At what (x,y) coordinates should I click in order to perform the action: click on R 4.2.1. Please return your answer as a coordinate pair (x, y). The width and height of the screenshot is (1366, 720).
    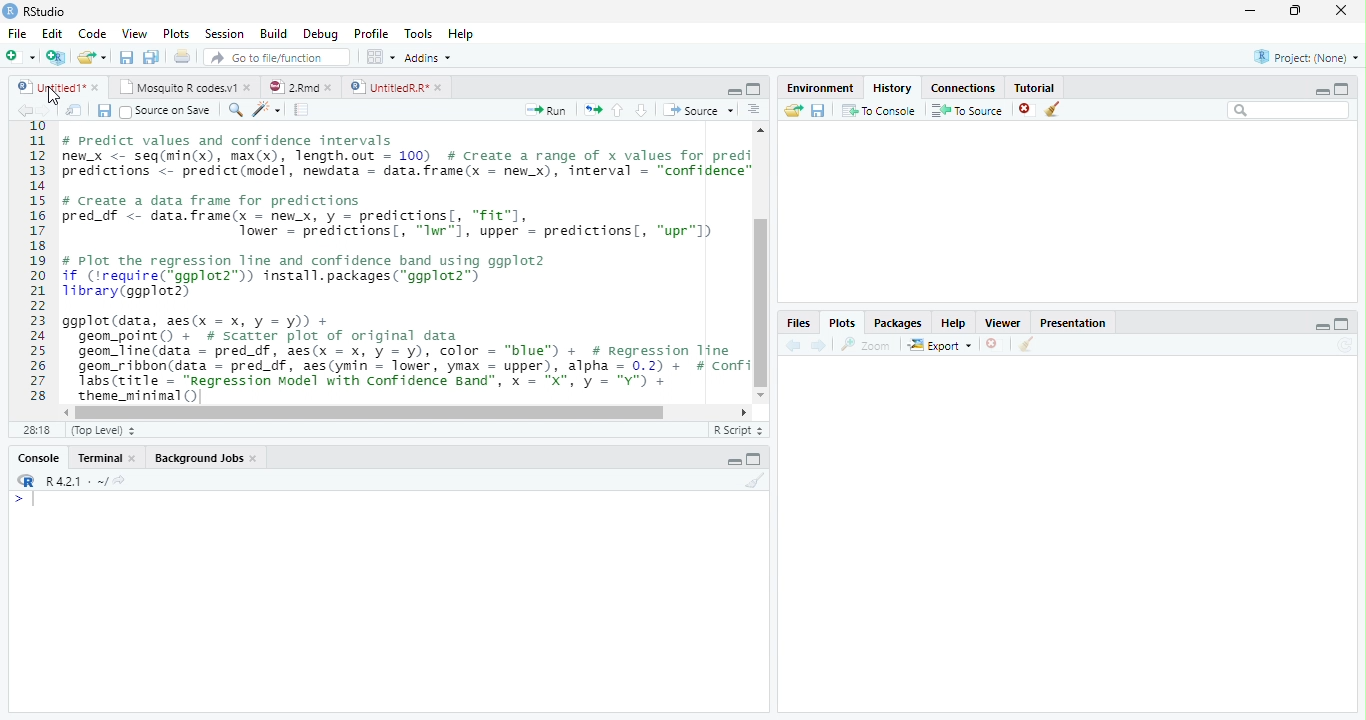
    Looking at the image, I should click on (67, 480).